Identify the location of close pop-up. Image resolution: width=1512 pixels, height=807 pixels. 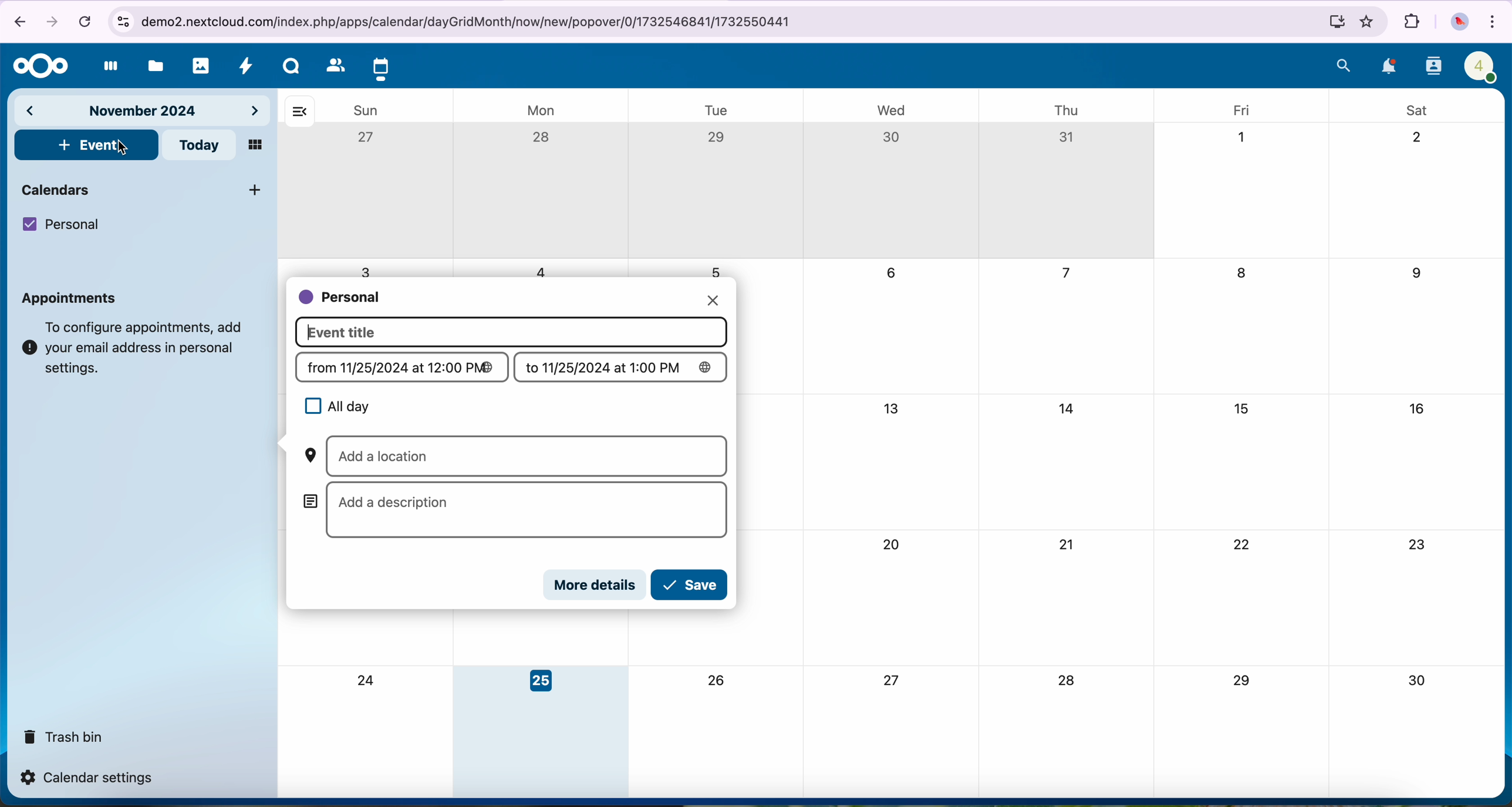
(713, 298).